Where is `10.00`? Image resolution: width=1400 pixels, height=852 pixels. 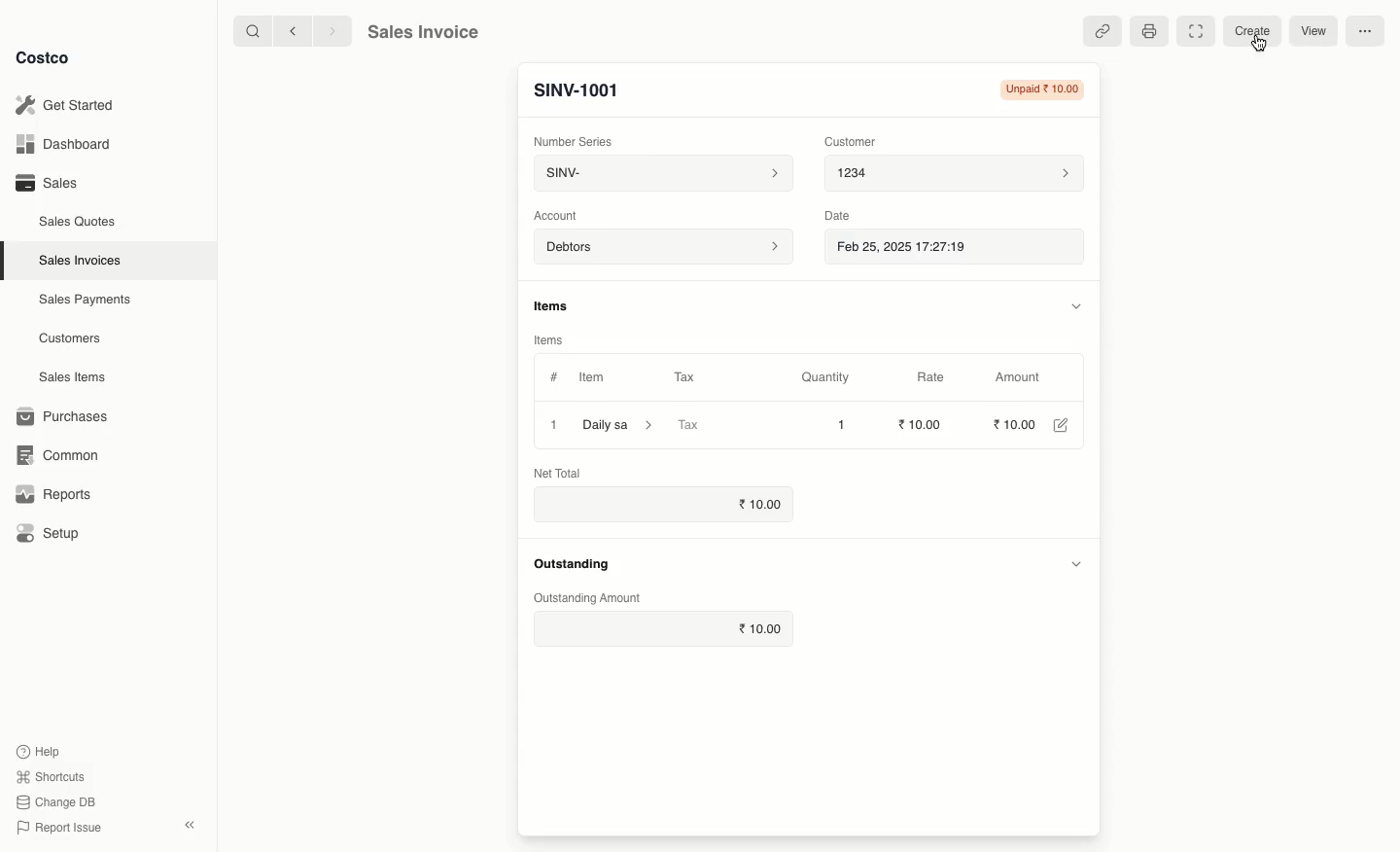 10.00 is located at coordinates (762, 629).